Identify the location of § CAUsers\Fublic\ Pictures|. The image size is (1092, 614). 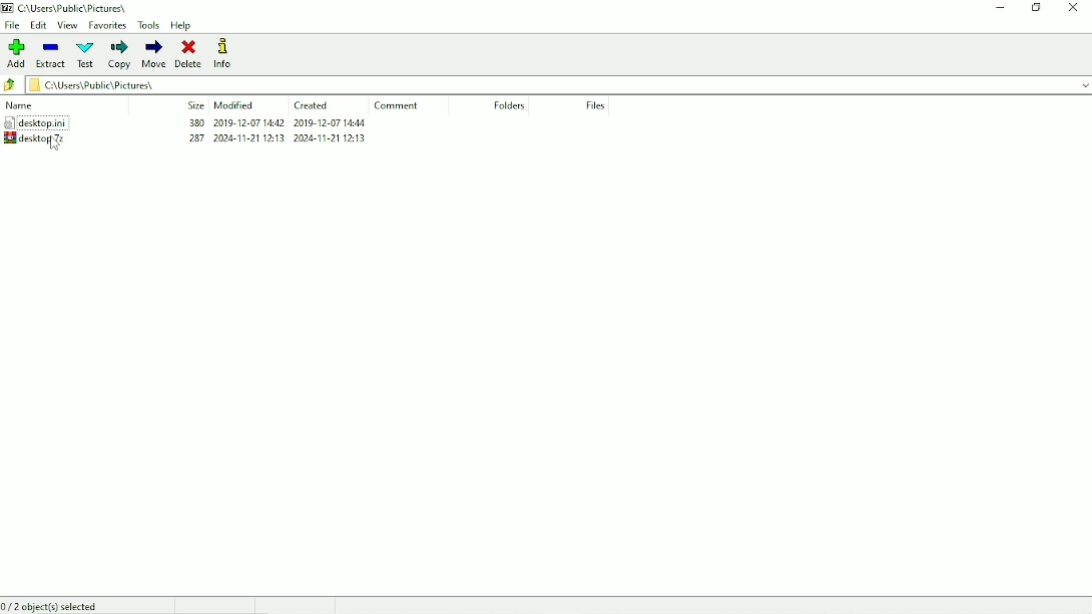
(548, 85).